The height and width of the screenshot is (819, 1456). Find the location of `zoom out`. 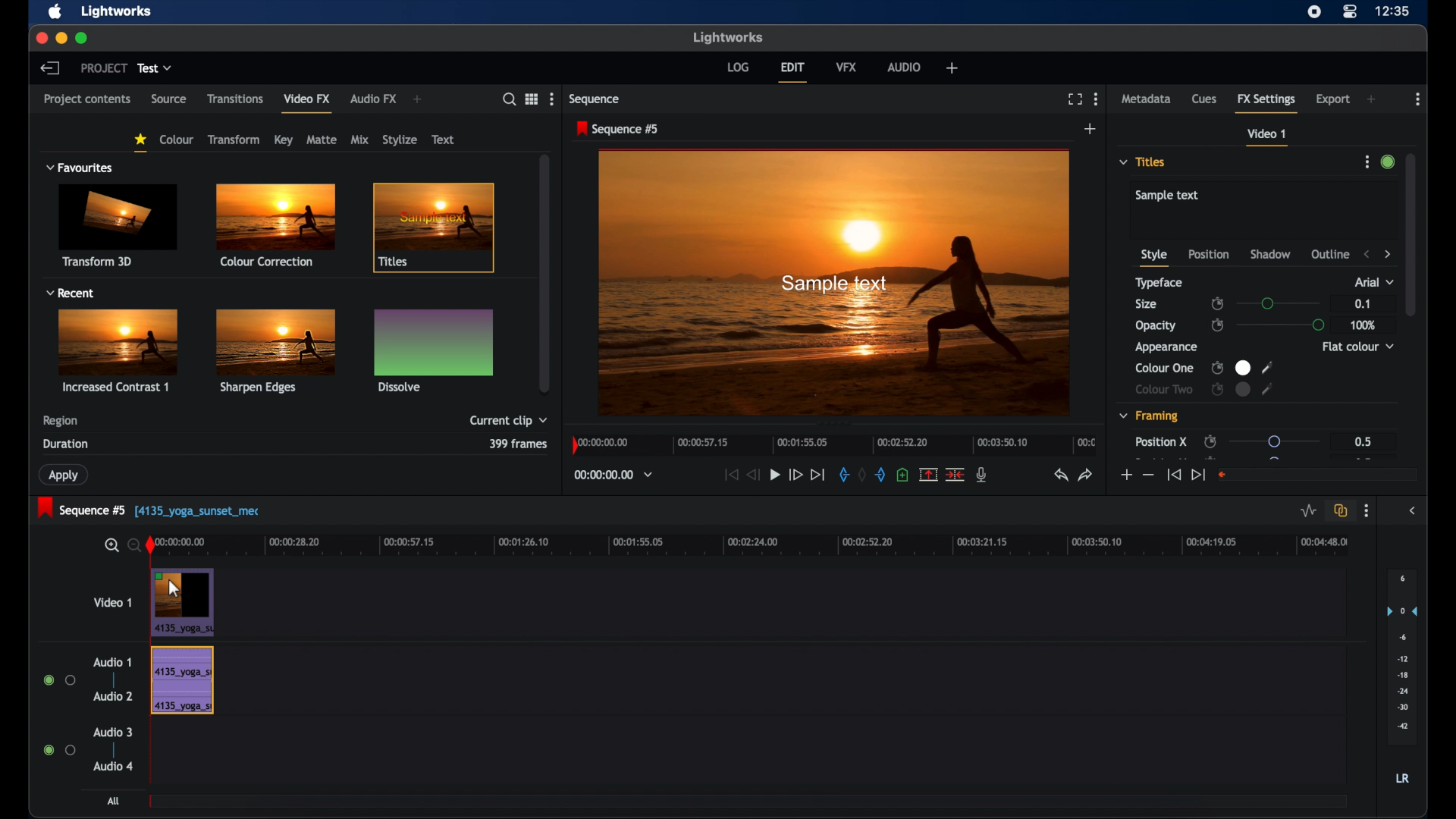

zoom out is located at coordinates (133, 544).